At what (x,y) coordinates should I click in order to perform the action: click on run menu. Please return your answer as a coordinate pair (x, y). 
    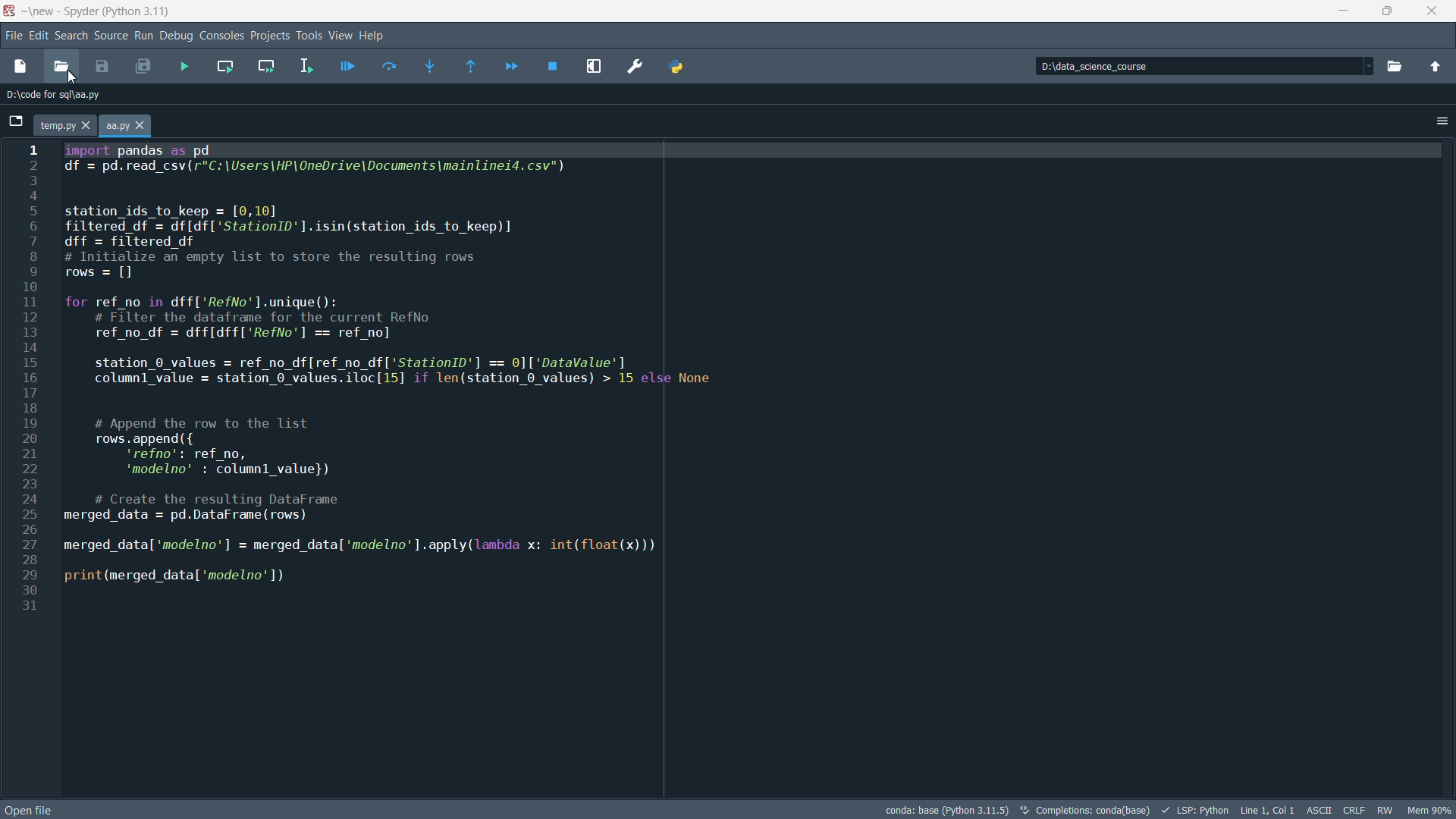
    Looking at the image, I should click on (144, 35).